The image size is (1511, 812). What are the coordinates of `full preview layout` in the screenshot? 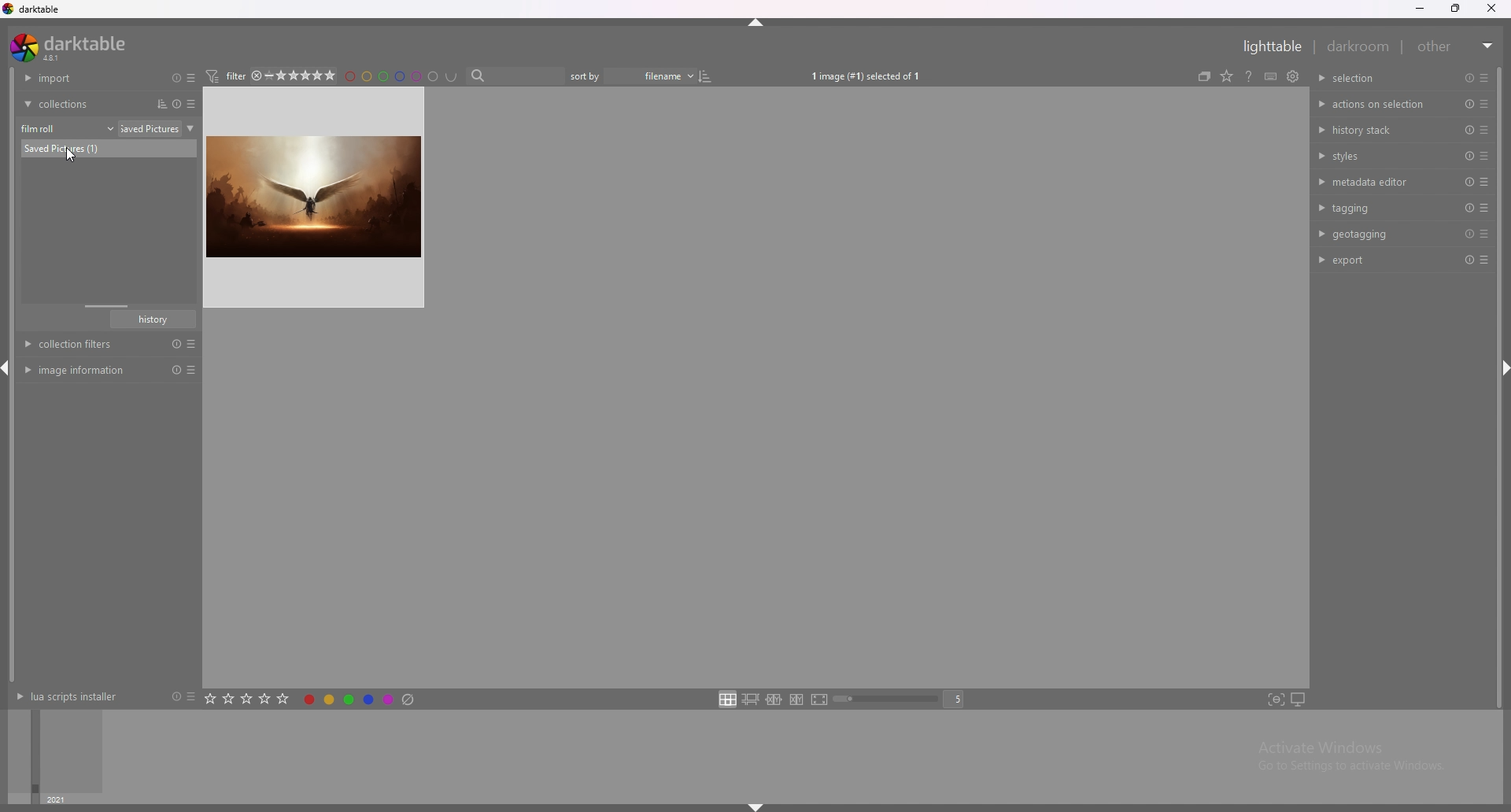 It's located at (820, 701).